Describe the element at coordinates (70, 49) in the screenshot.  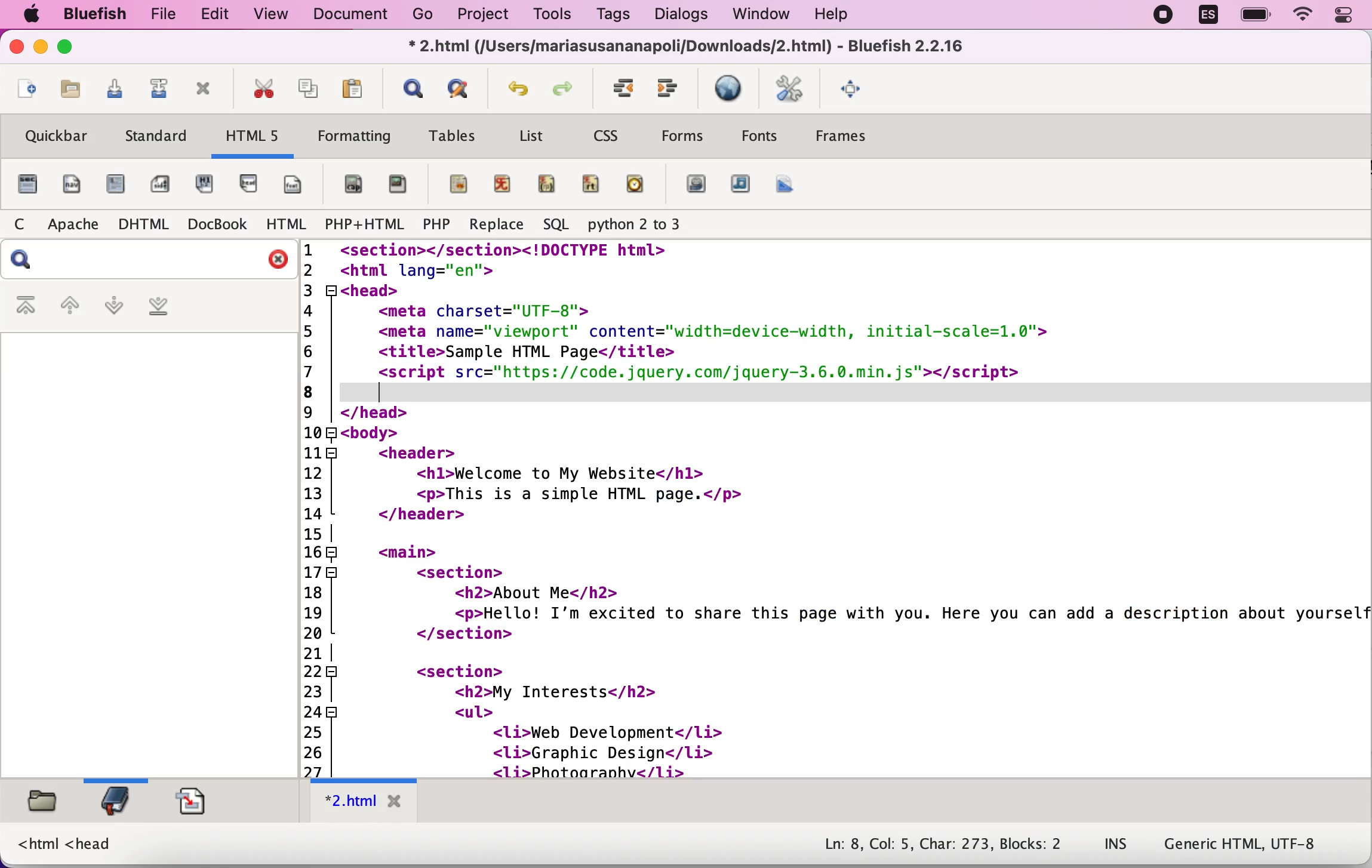
I see `maximize` at that location.